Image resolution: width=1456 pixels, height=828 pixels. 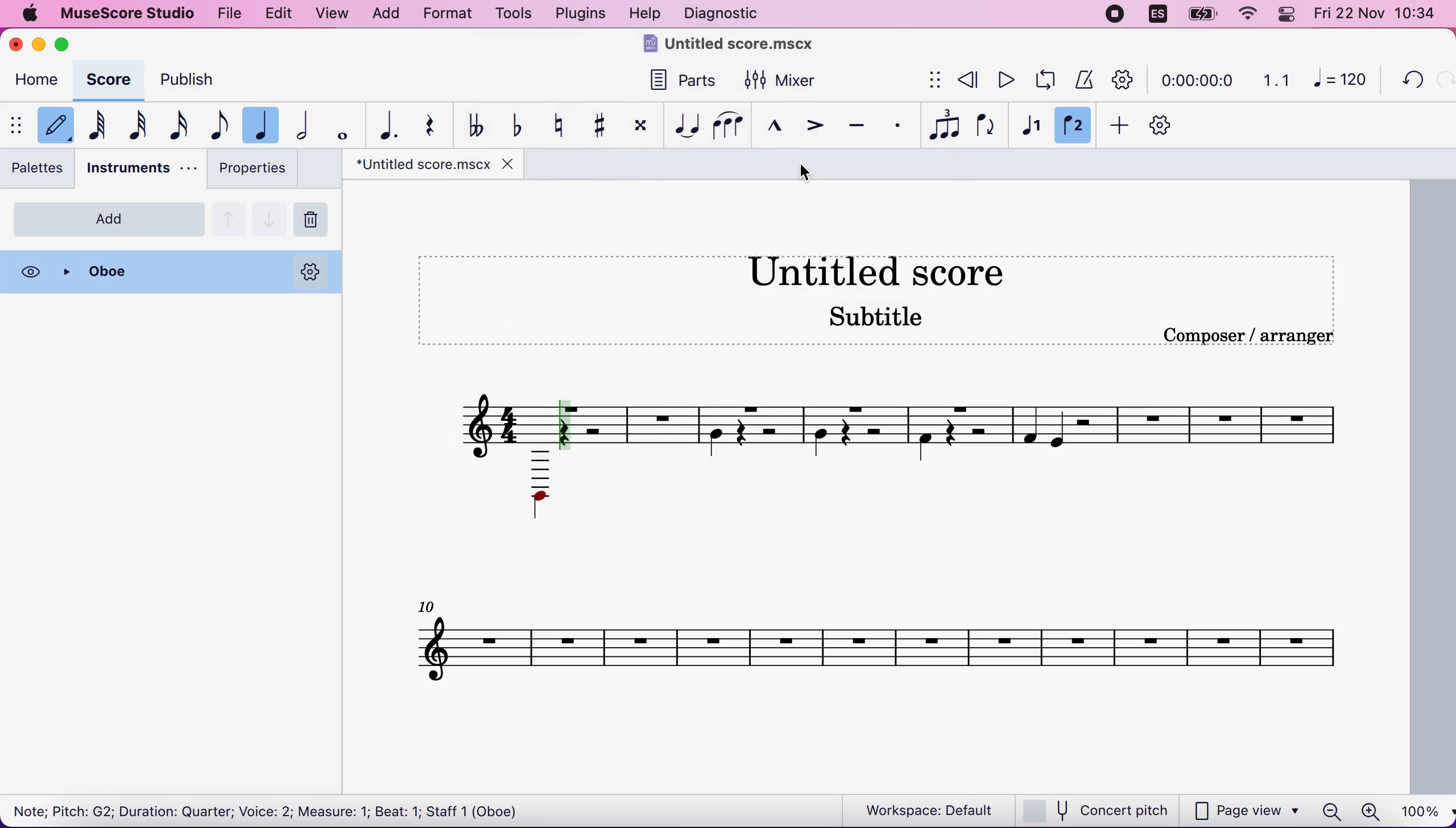 I want to click on "Untitled screw.mscx, so click(x=420, y=165).